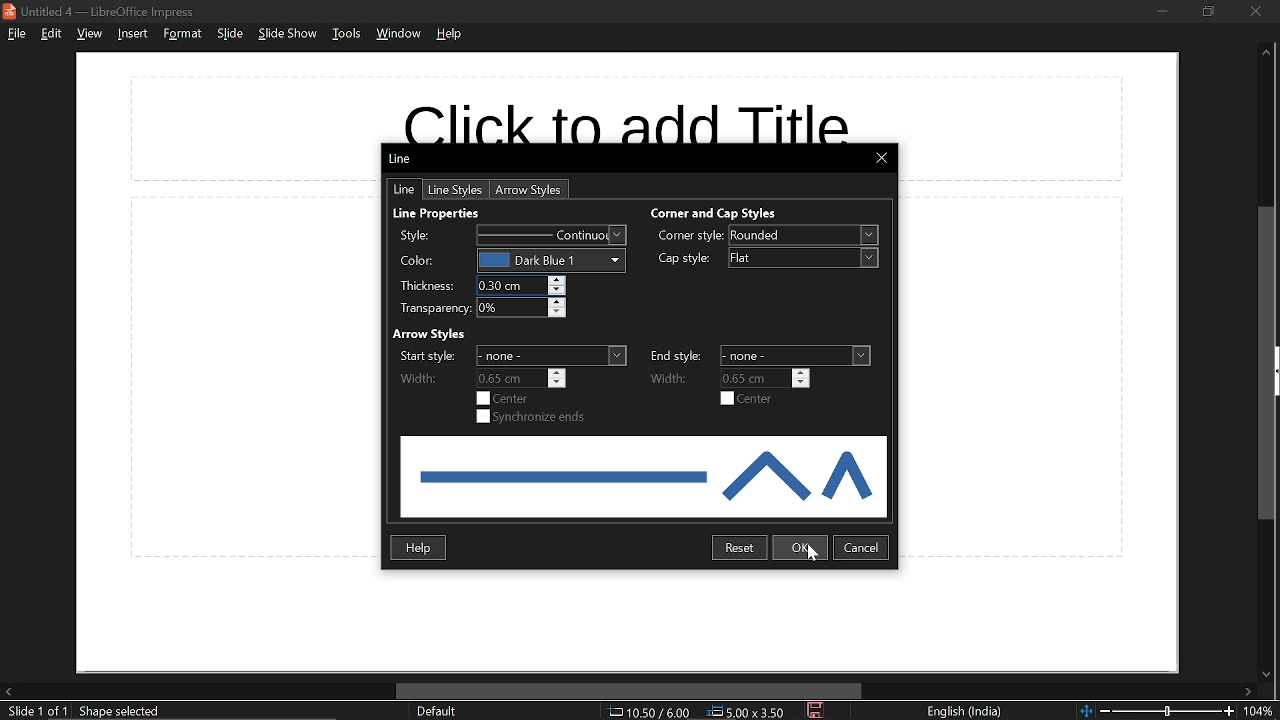 The height and width of the screenshot is (720, 1280). I want to click on insert, so click(131, 34).